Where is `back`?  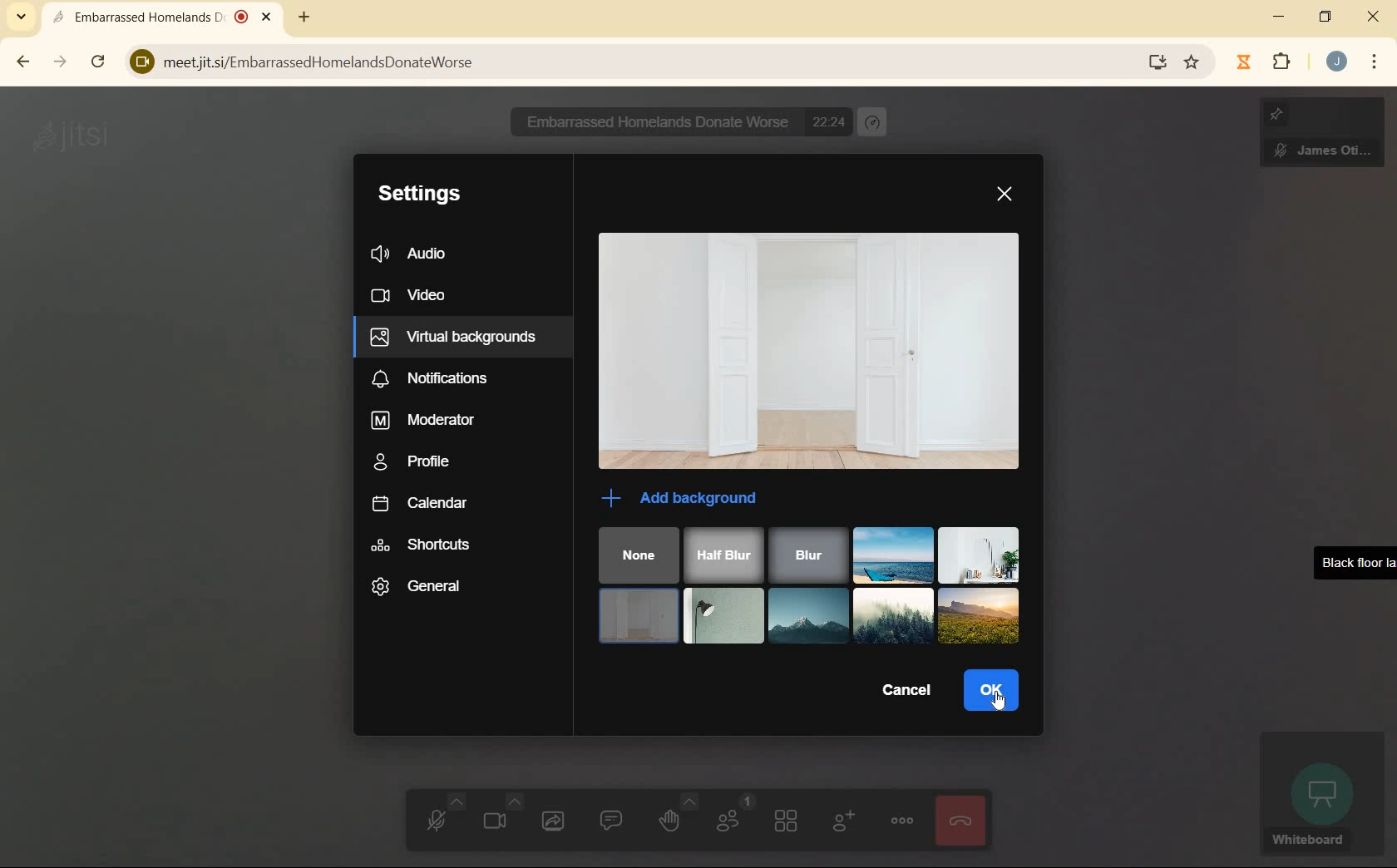 back is located at coordinates (24, 62).